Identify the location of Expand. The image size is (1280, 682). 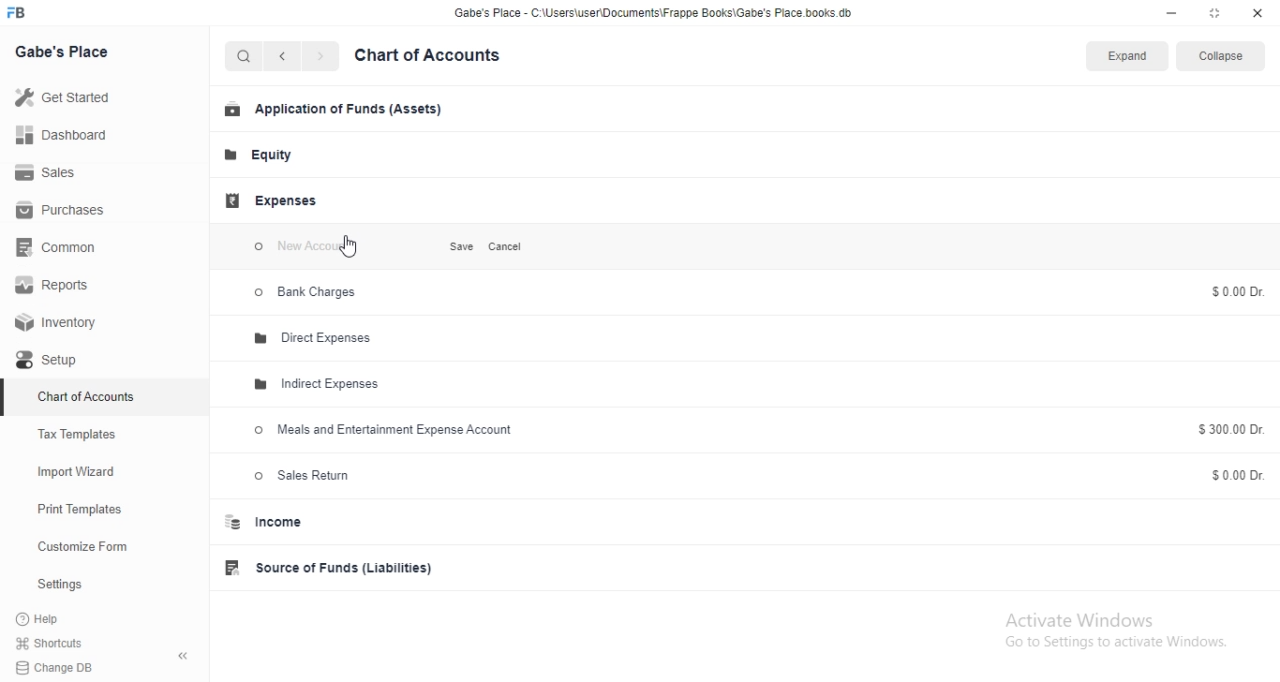
(1126, 58).